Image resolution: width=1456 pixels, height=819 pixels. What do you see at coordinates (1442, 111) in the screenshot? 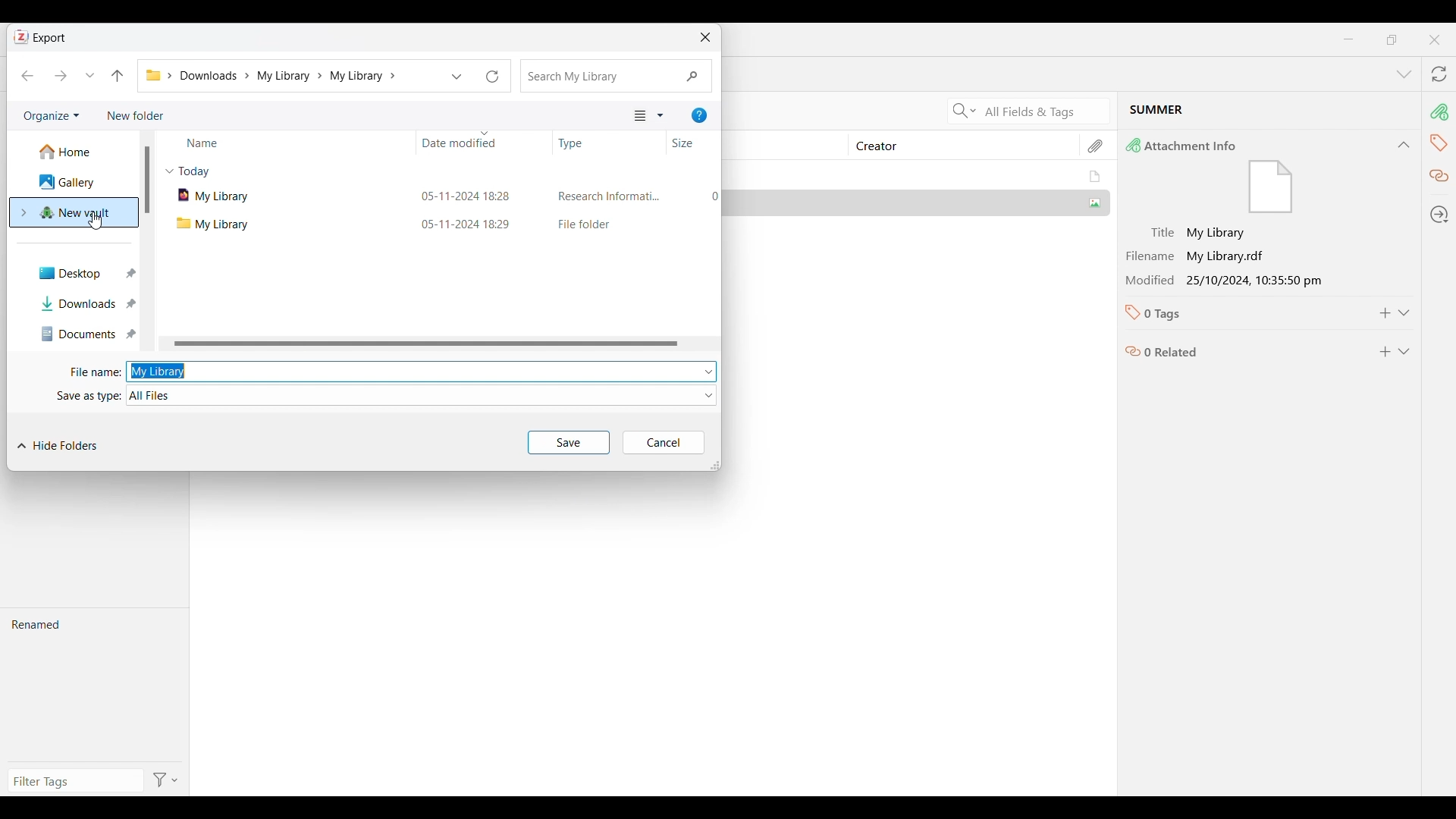
I see `Attachment info` at bounding box center [1442, 111].